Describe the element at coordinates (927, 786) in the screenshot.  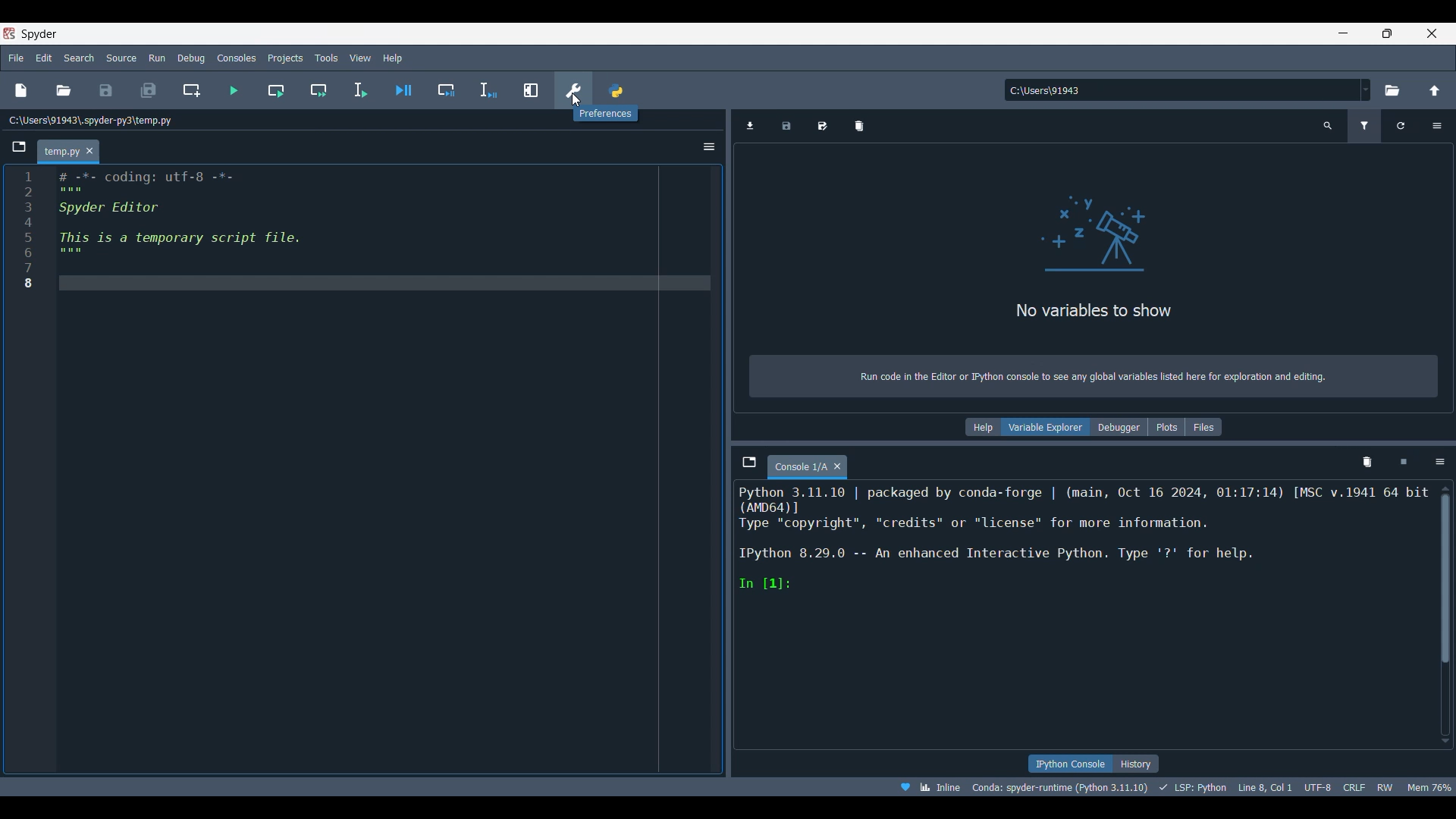
I see `inline` at that location.